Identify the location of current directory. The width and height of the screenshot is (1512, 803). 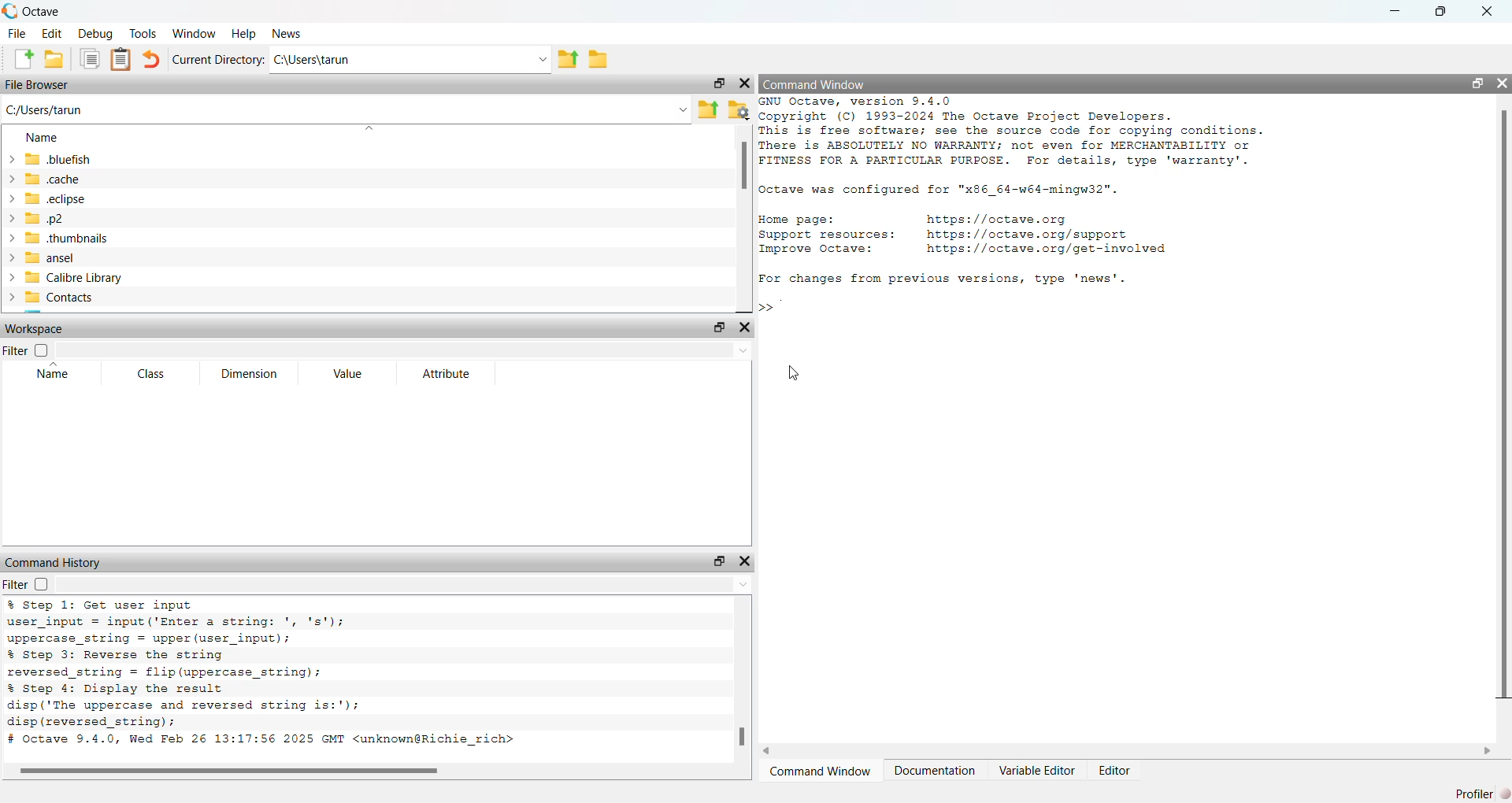
(217, 58).